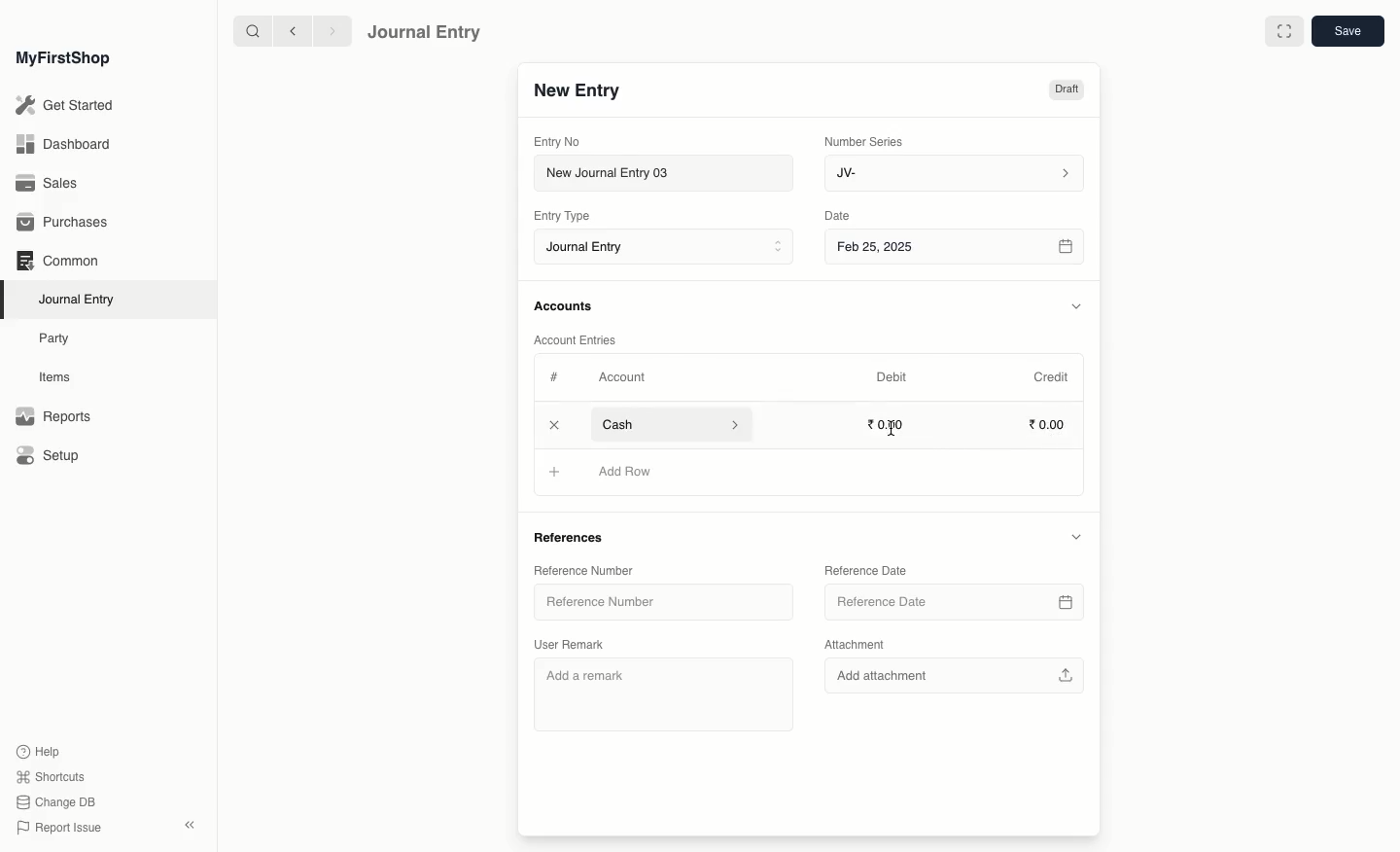 The height and width of the screenshot is (852, 1400). What do you see at coordinates (838, 216) in the screenshot?
I see `Date` at bounding box center [838, 216].